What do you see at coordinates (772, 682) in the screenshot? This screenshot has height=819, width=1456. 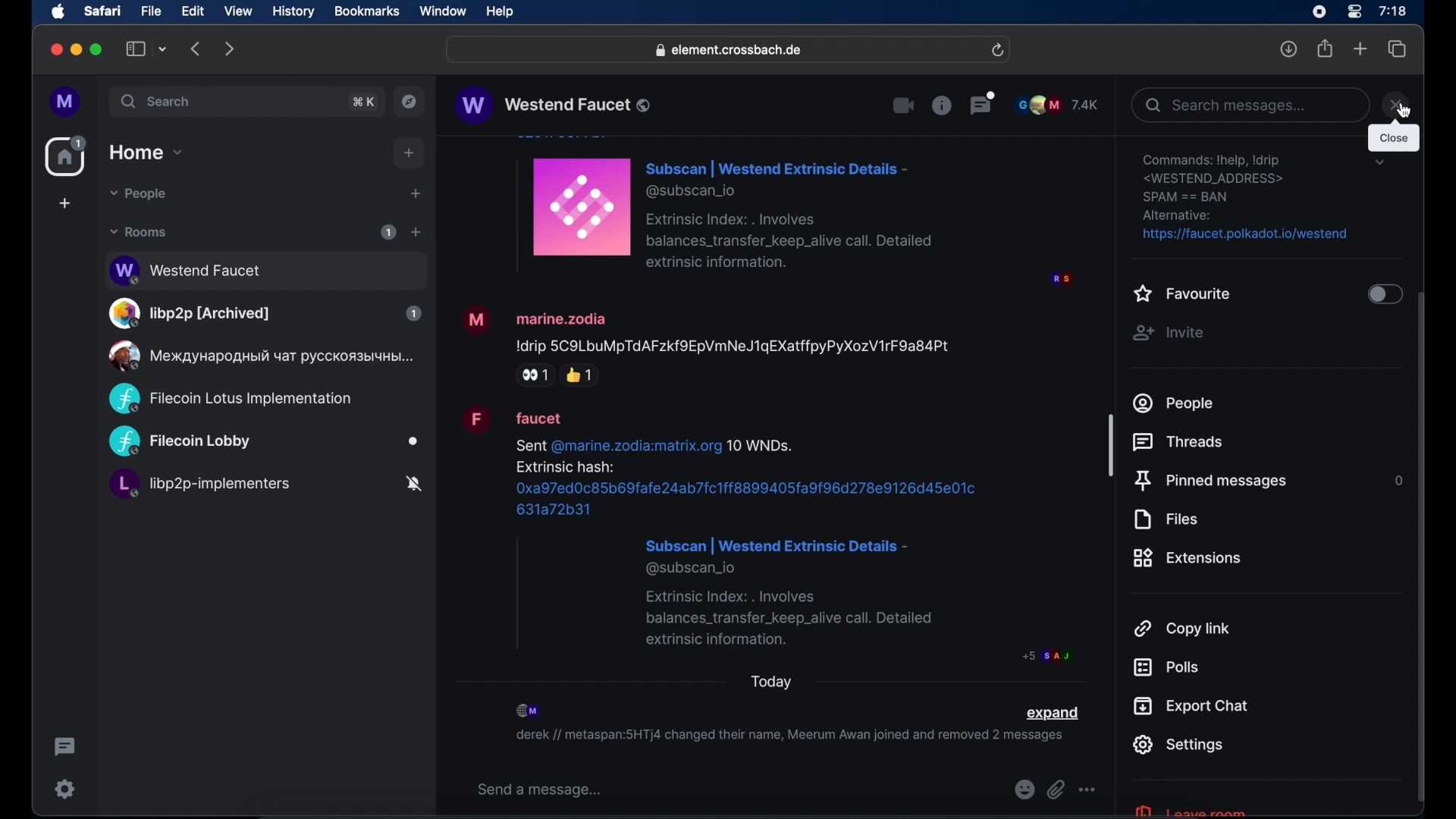 I see `today` at bounding box center [772, 682].